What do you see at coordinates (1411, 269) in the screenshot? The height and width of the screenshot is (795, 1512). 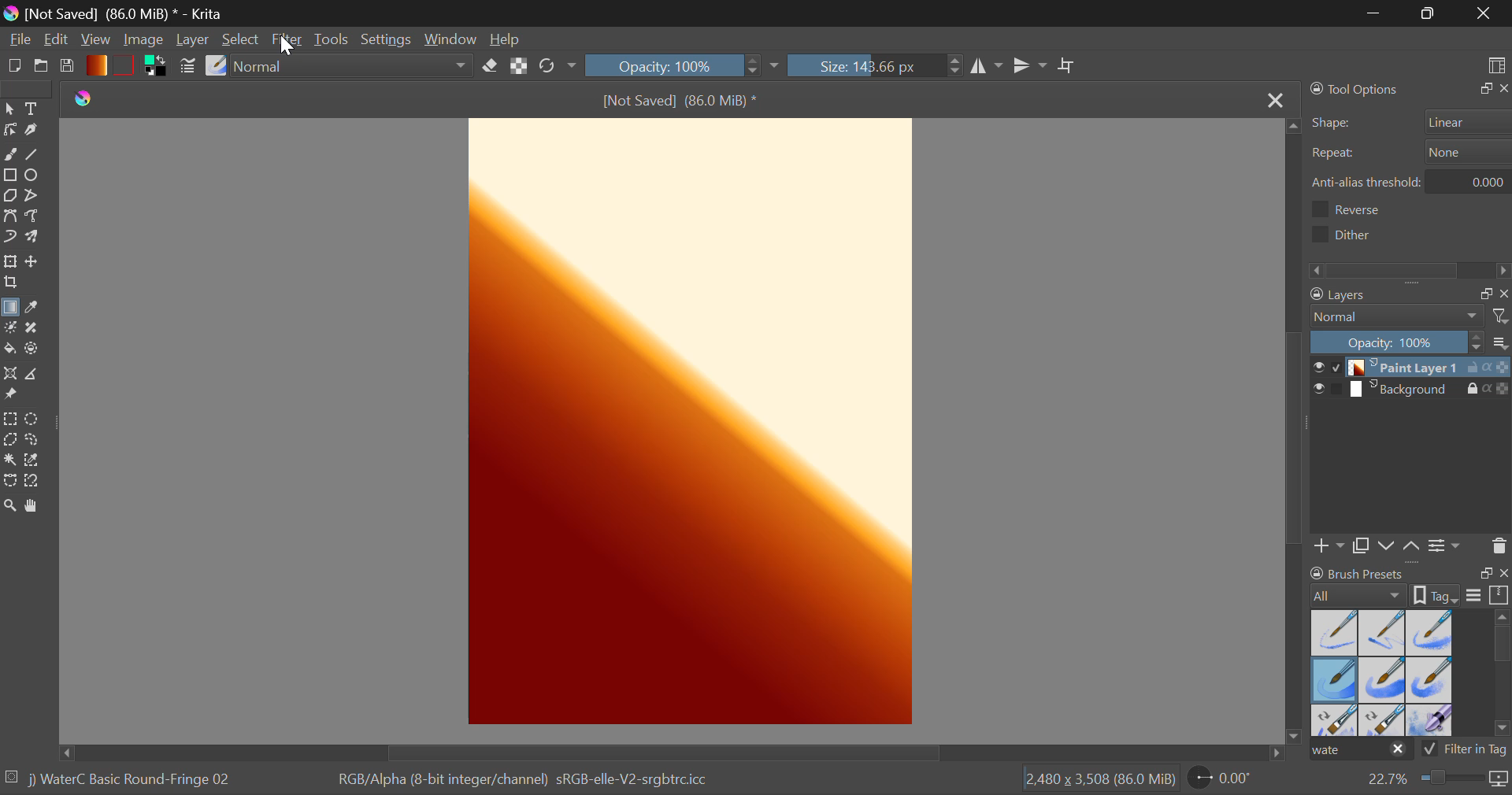 I see `horizontal scrollbar` at bounding box center [1411, 269].